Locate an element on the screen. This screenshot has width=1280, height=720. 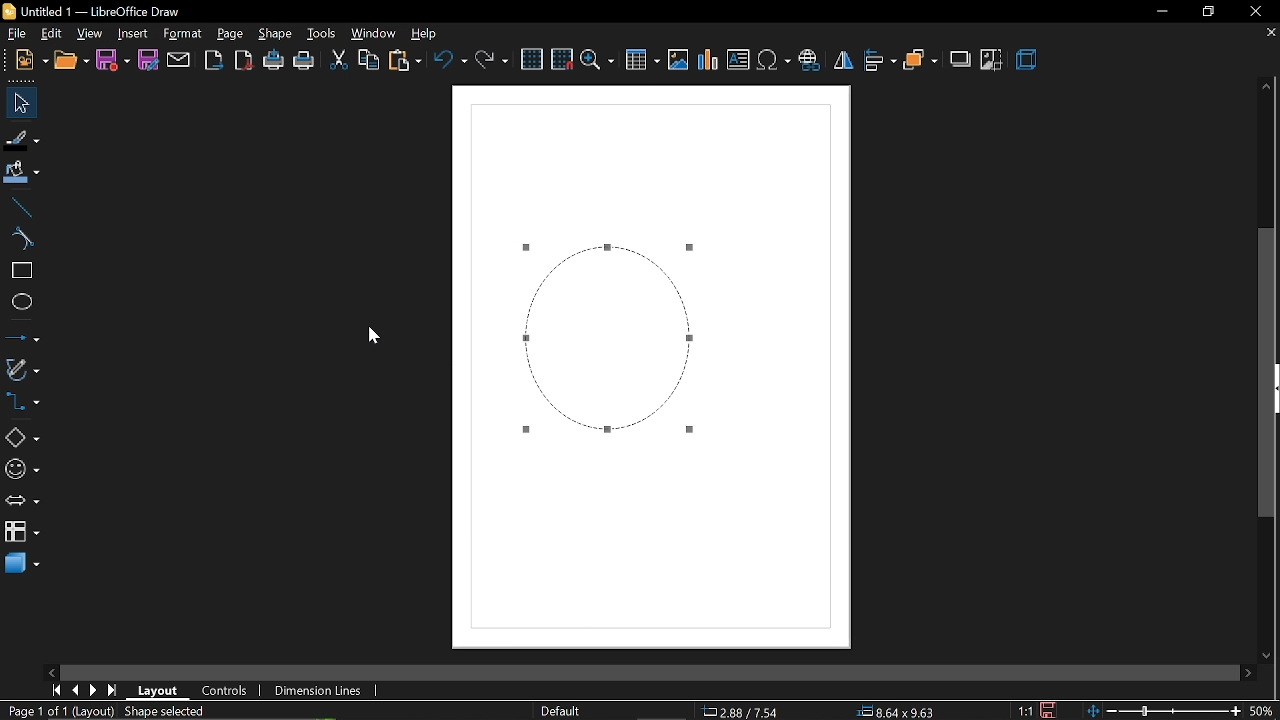
rectangle is located at coordinates (21, 272).